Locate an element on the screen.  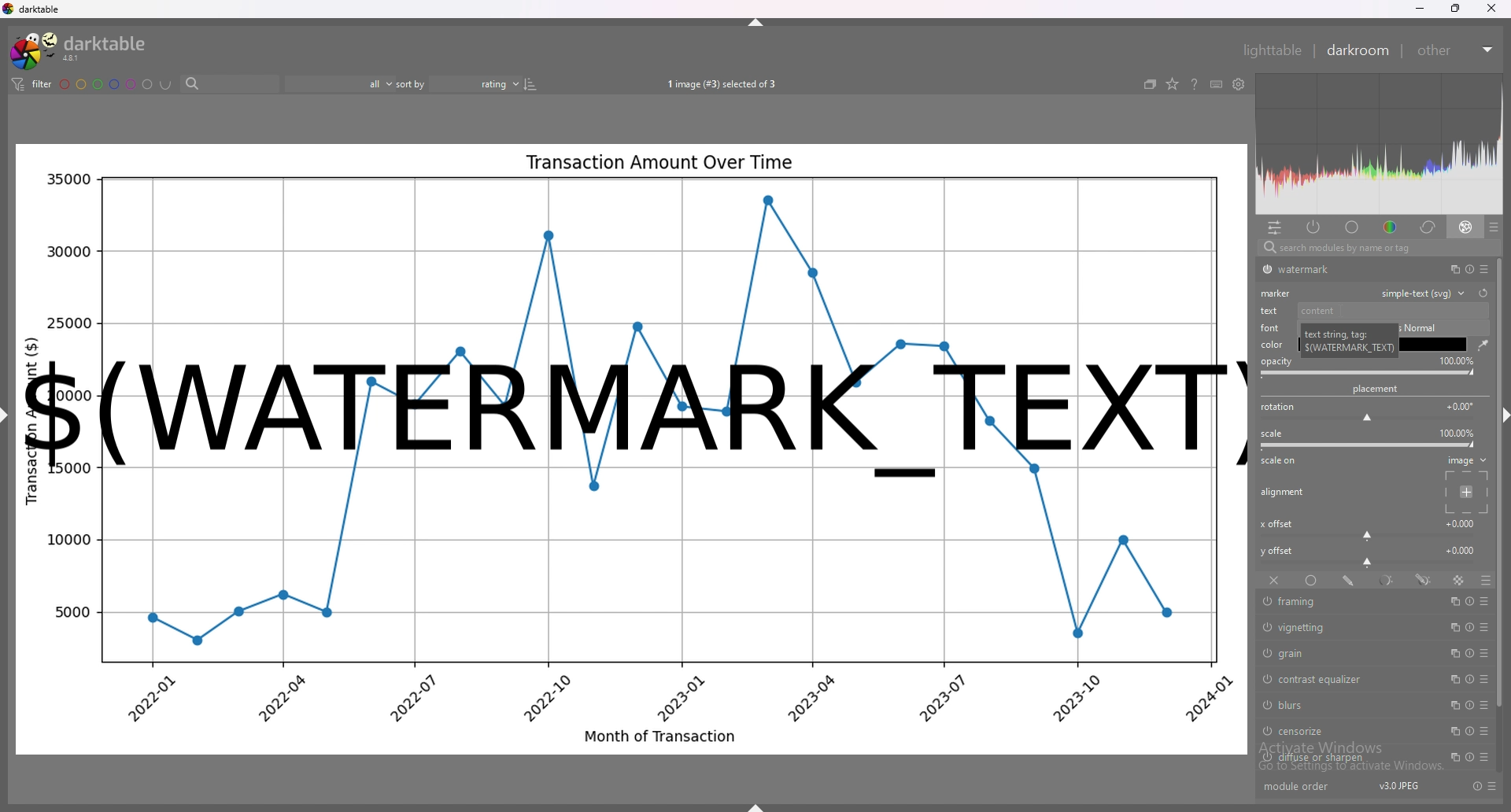
darkroom is located at coordinates (1358, 50).